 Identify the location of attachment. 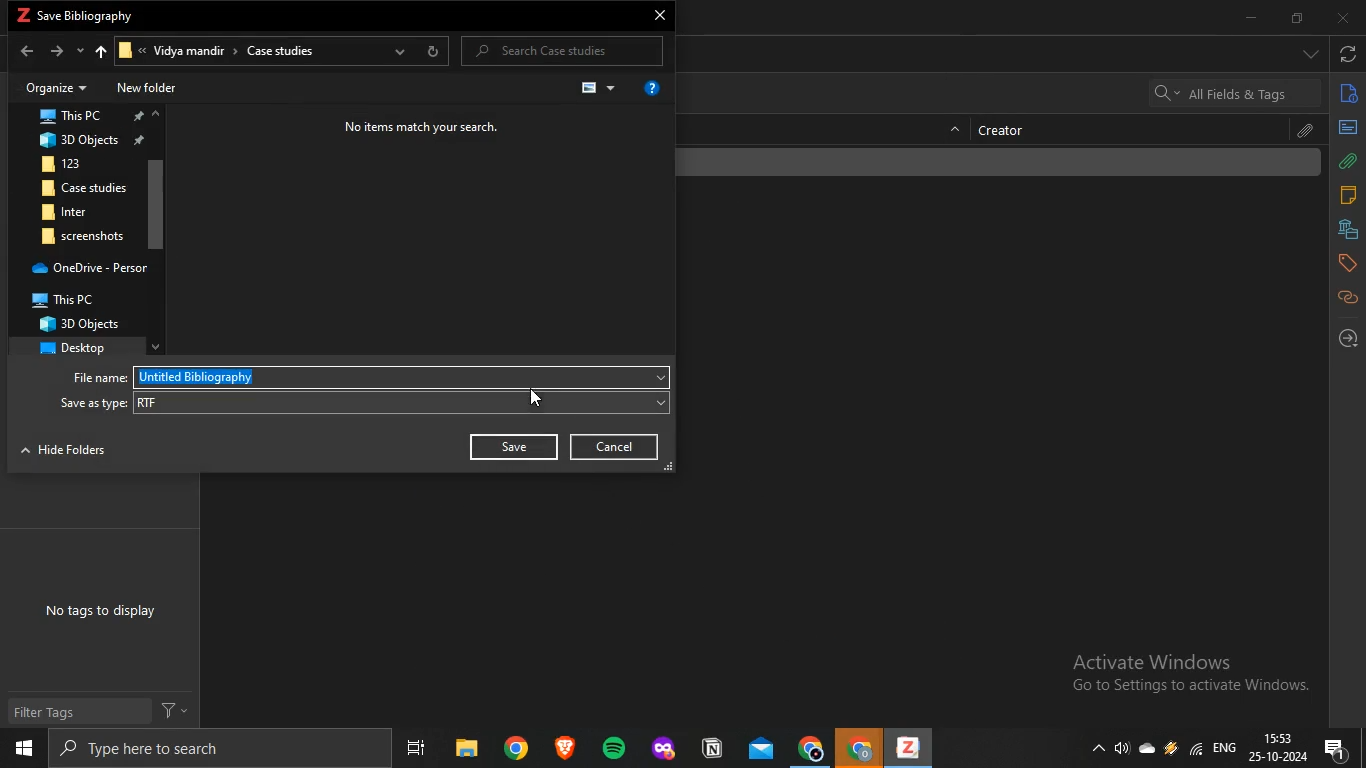
(1307, 131).